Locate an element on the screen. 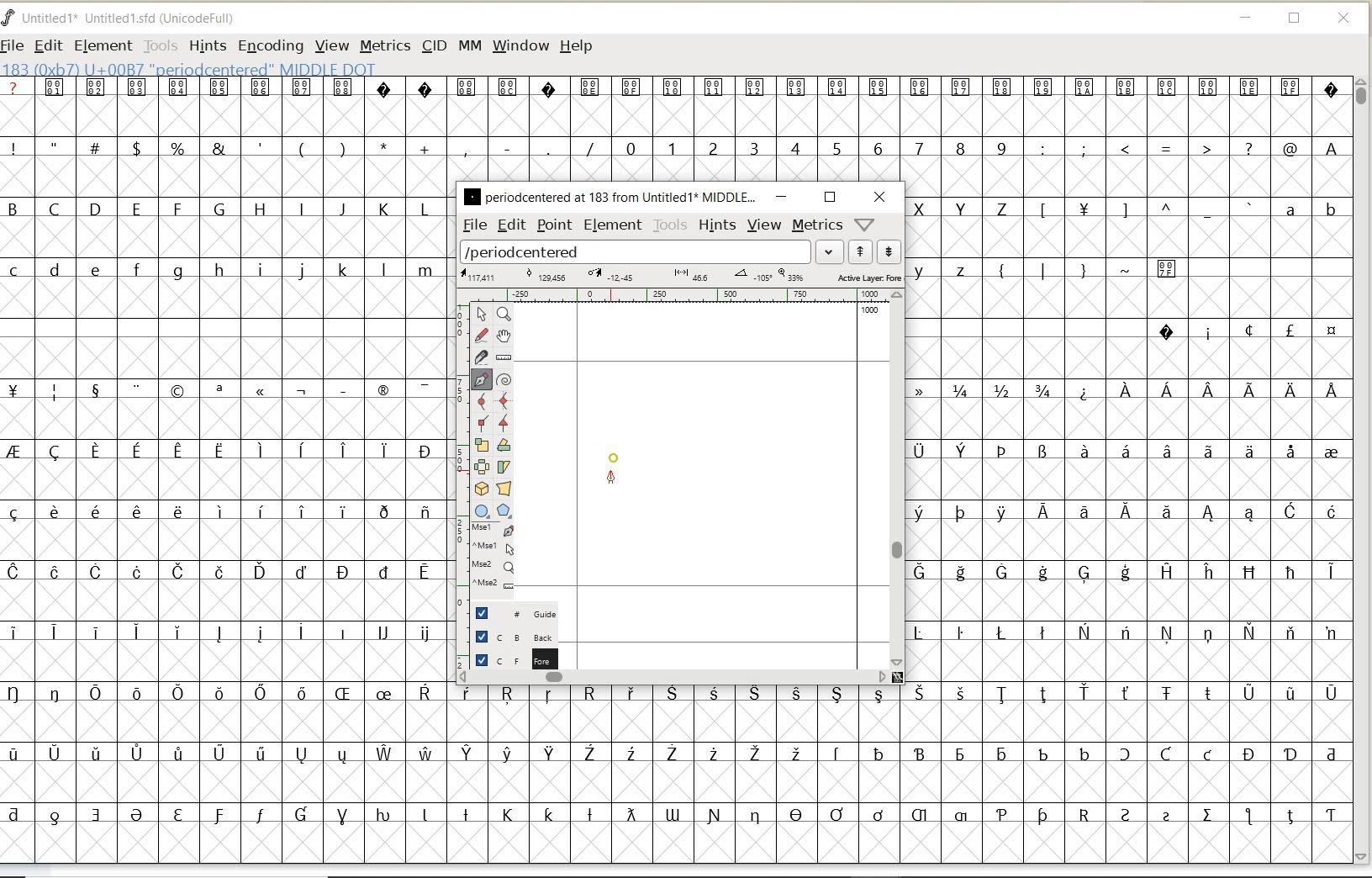 This screenshot has width=1372, height=878. lowercase letters is located at coordinates (224, 271).